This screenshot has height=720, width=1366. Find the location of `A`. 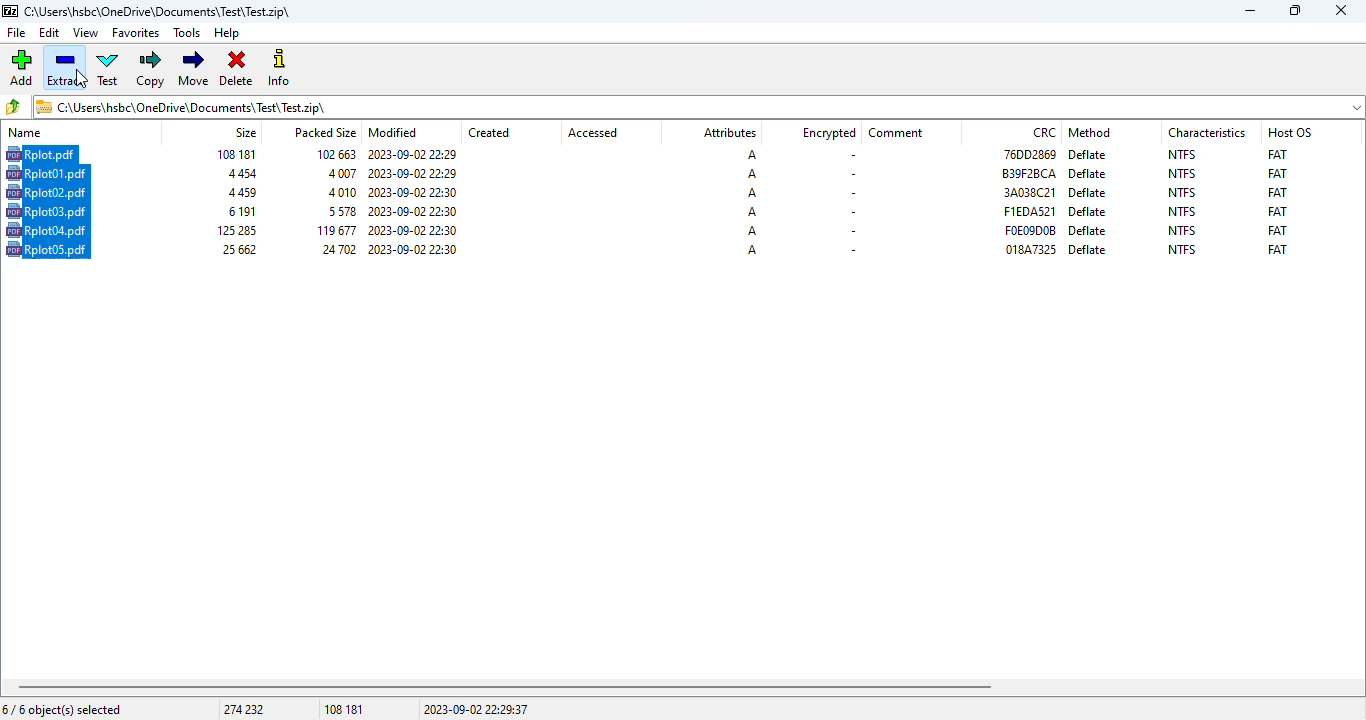

A is located at coordinates (752, 249).